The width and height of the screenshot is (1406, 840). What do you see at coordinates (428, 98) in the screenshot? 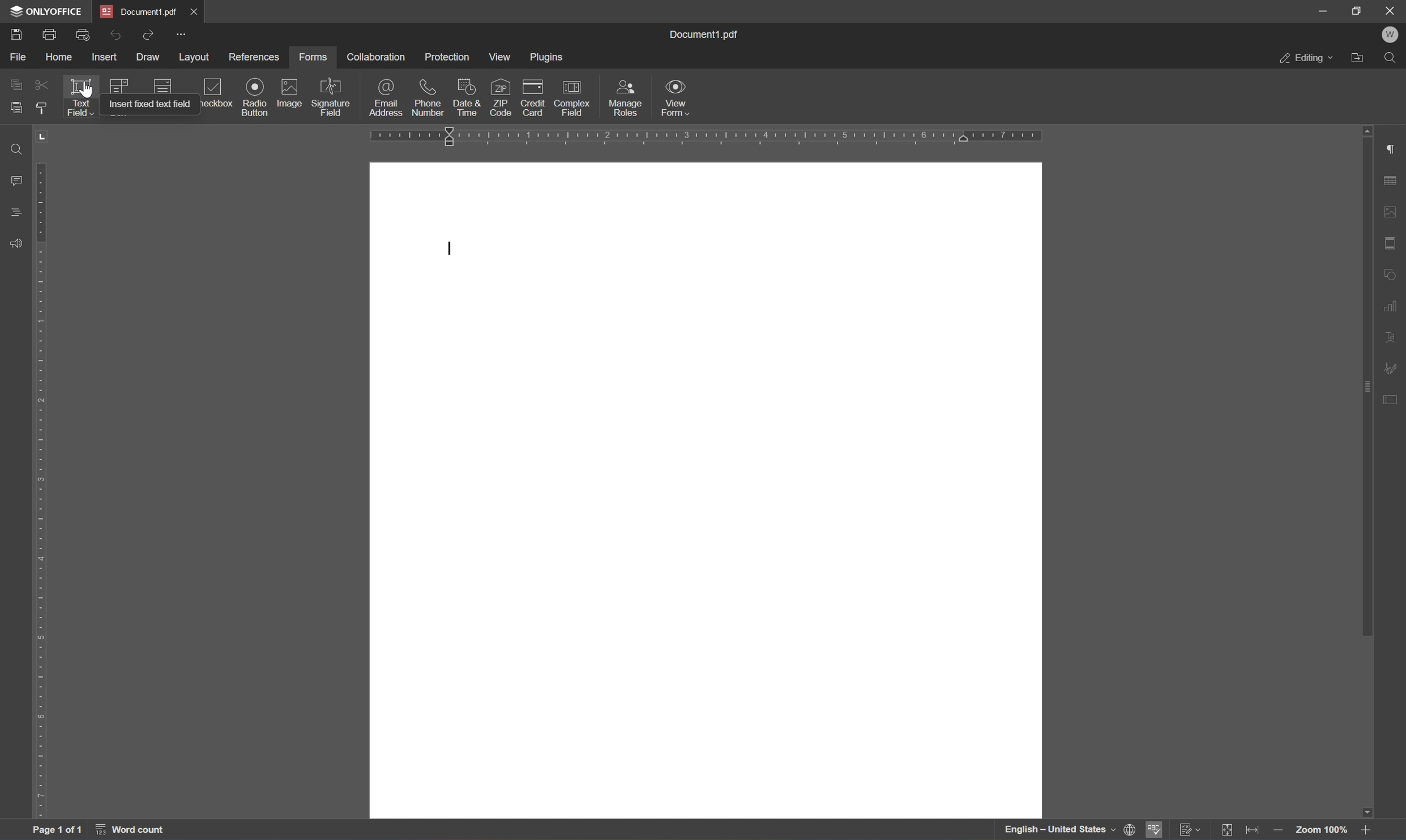
I see `phone number` at bounding box center [428, 98].